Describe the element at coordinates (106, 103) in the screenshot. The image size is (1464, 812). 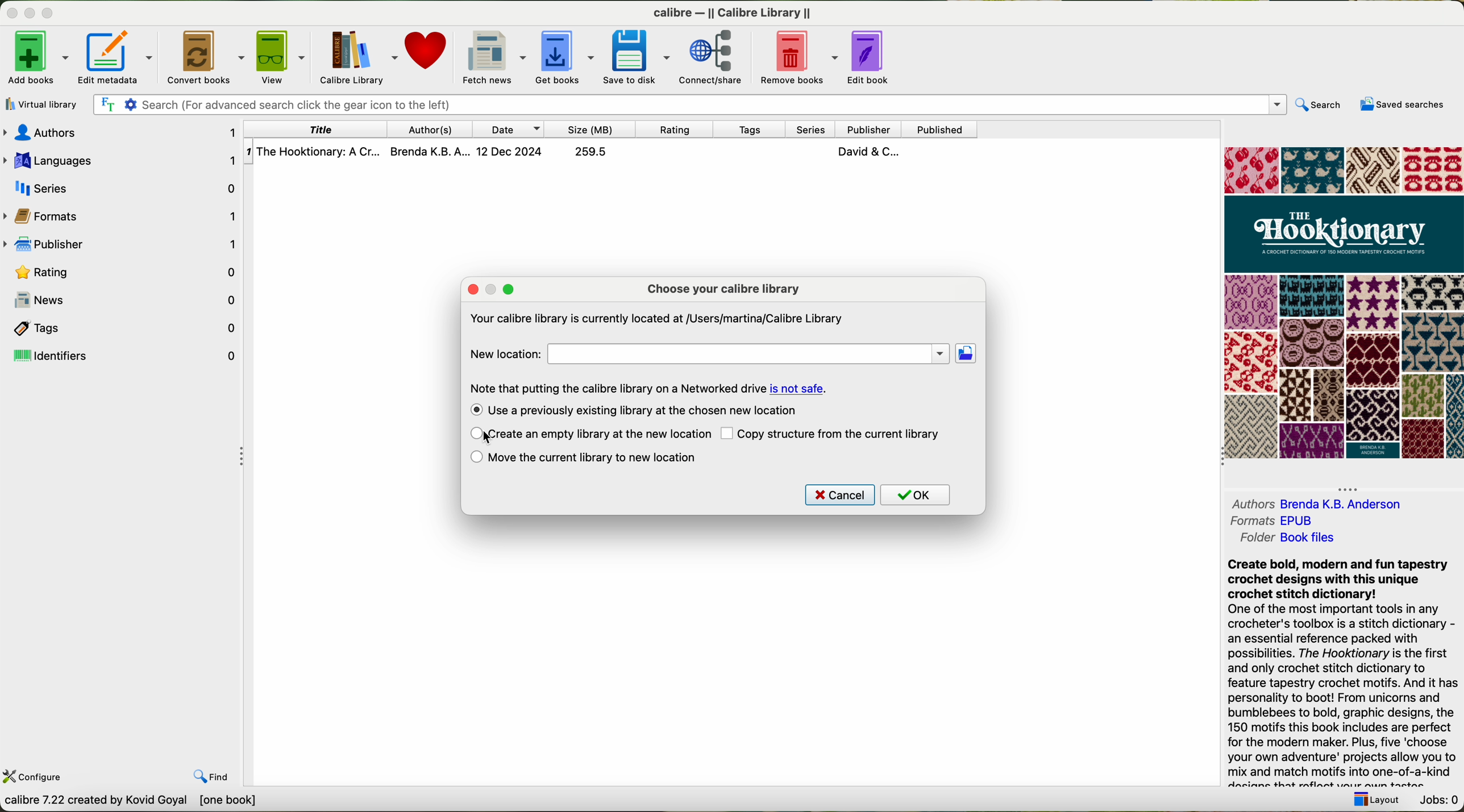
I see `Find the text` at that location.